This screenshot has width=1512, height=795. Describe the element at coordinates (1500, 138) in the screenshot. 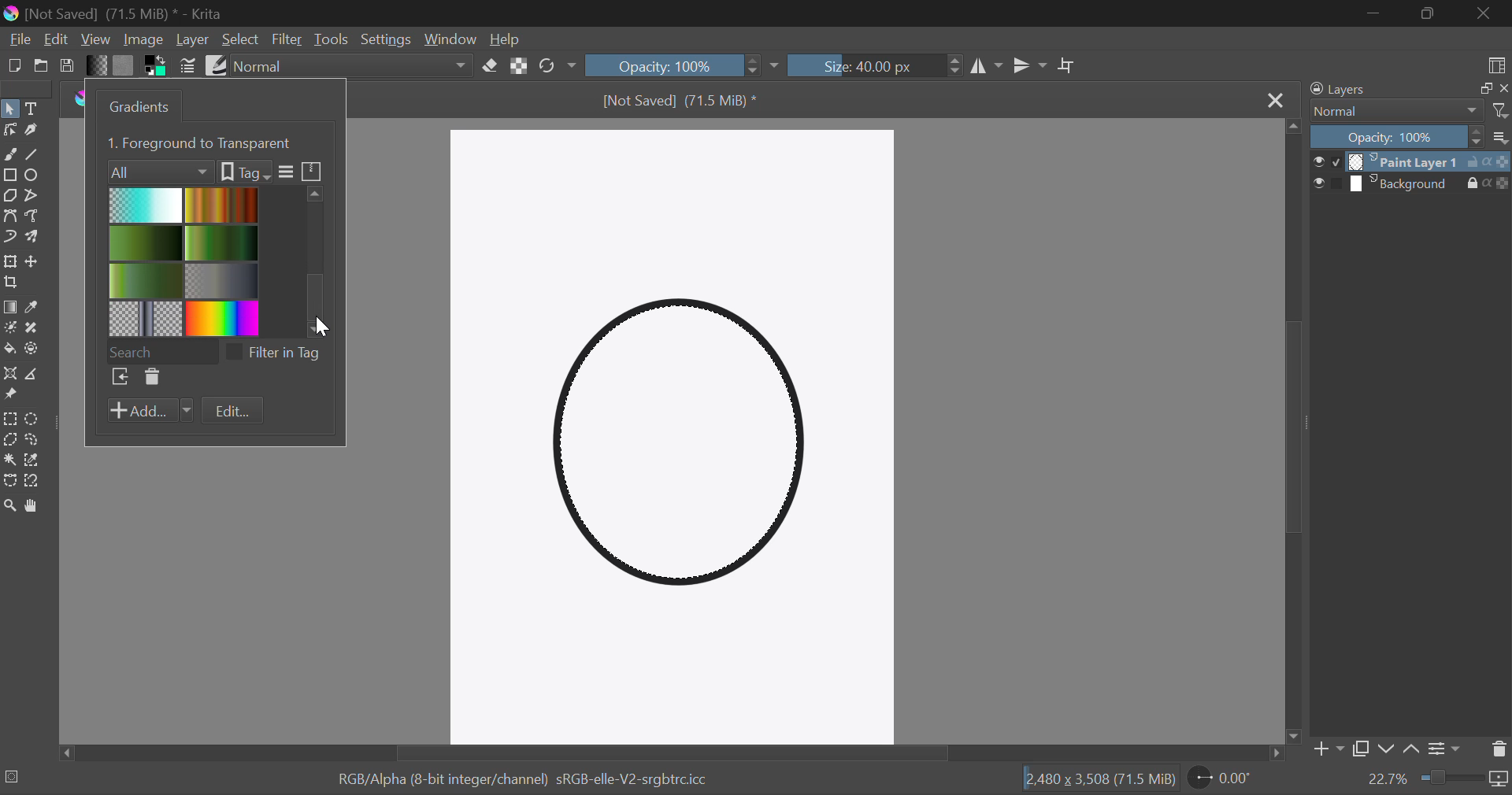

I see `more` at that location.